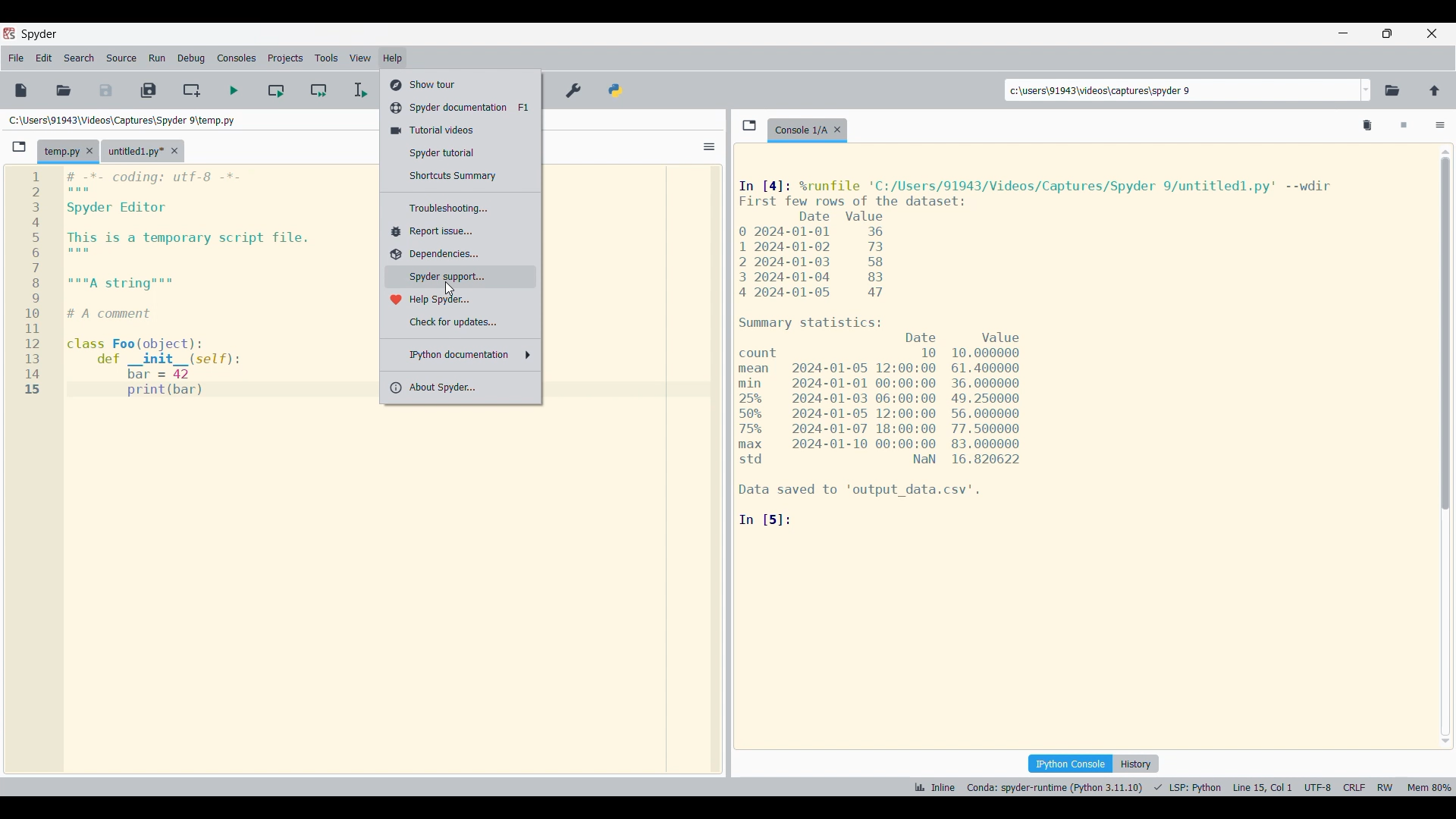 The image size is (1456, 819). What do you see at coordinates (709, 147) in the screenshot?
I see `Options` at bounding box center [709, 147].